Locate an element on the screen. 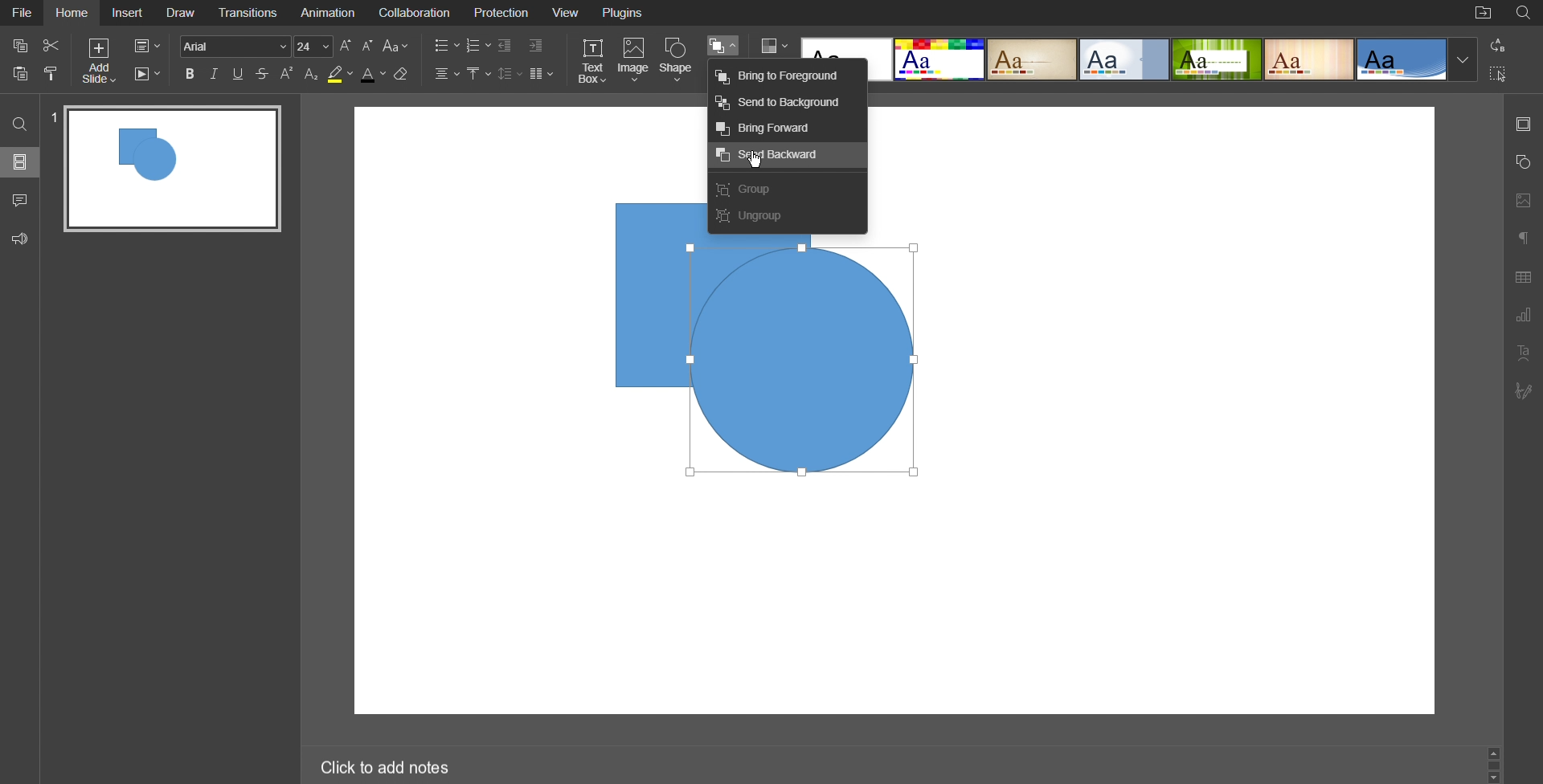  Insert is located at coordinates (125, 13).